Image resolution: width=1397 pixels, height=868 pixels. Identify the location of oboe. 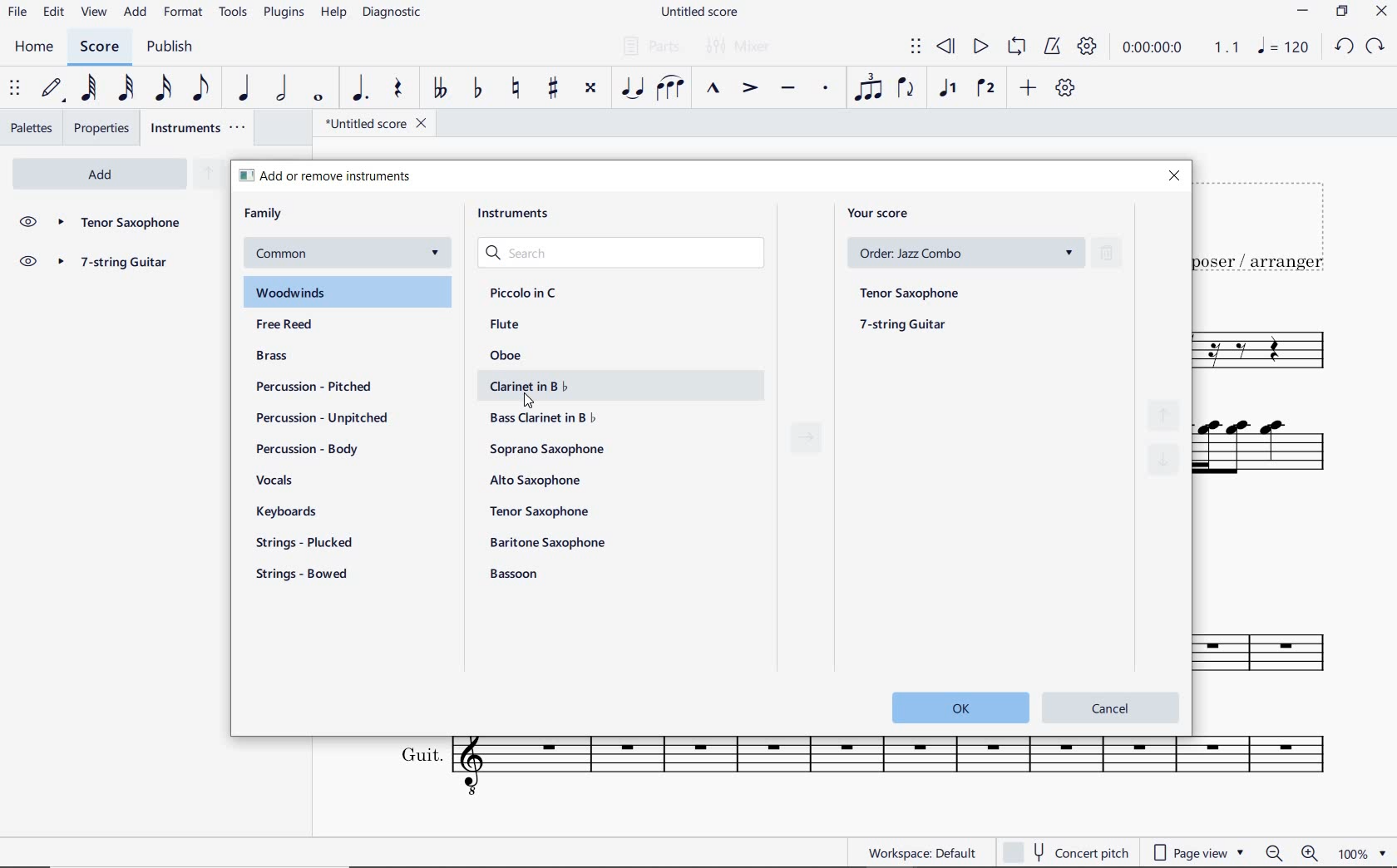
(509, 355).